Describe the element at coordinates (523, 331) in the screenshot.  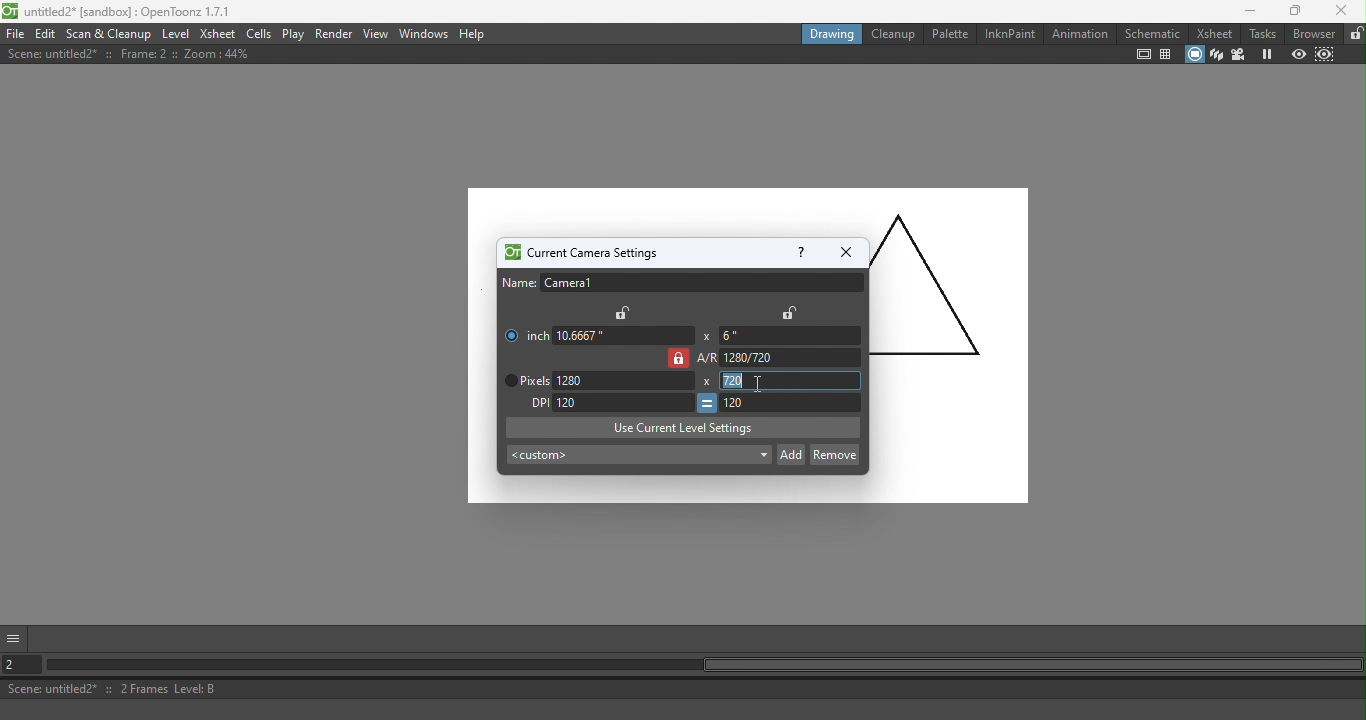
I see `Inch` at that location.